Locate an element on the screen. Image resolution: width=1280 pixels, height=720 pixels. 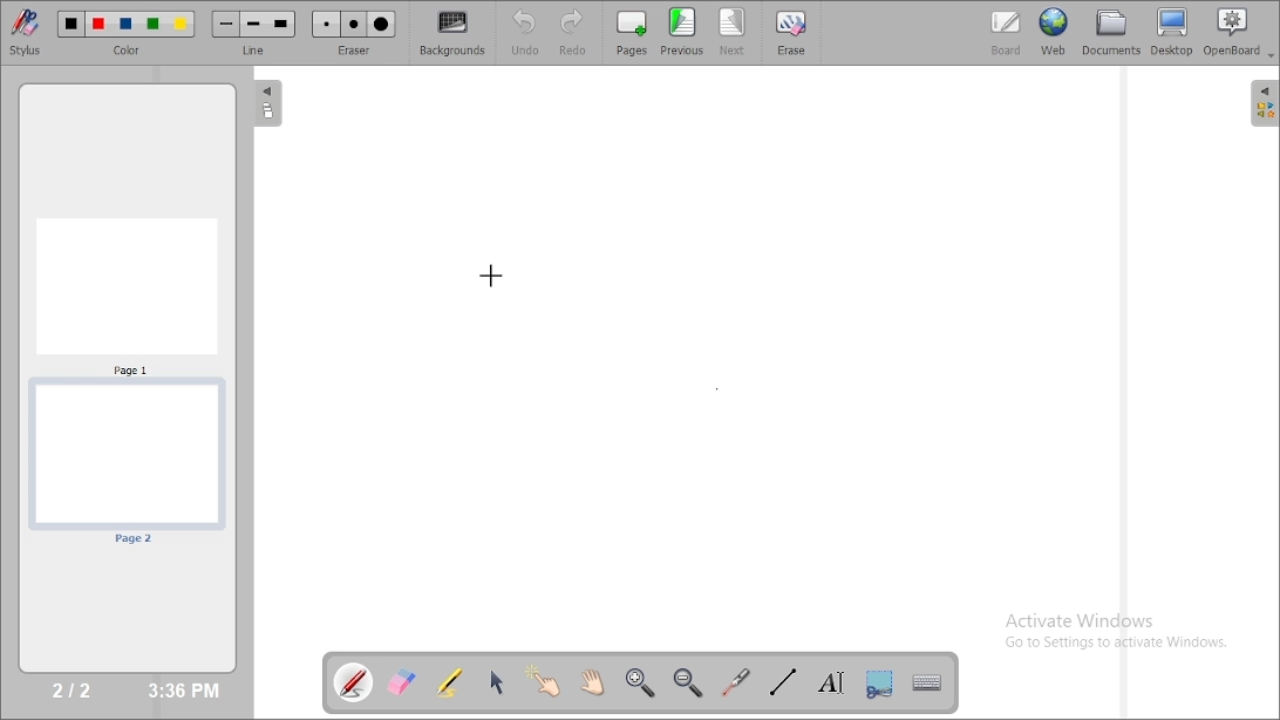
documents is located at coordinates (1110, 31).